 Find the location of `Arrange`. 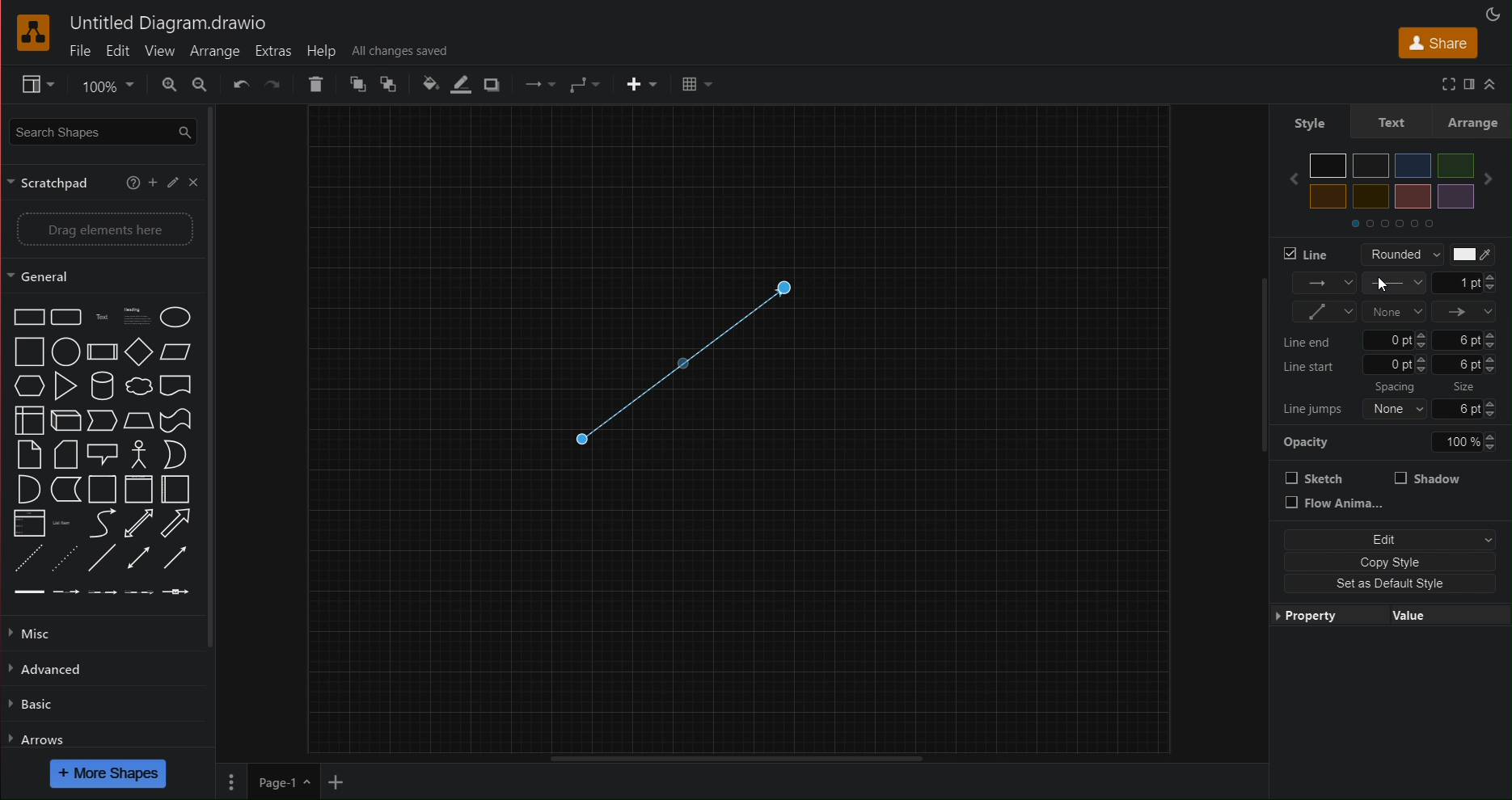

Arrange is located at coordinates (214, 50).